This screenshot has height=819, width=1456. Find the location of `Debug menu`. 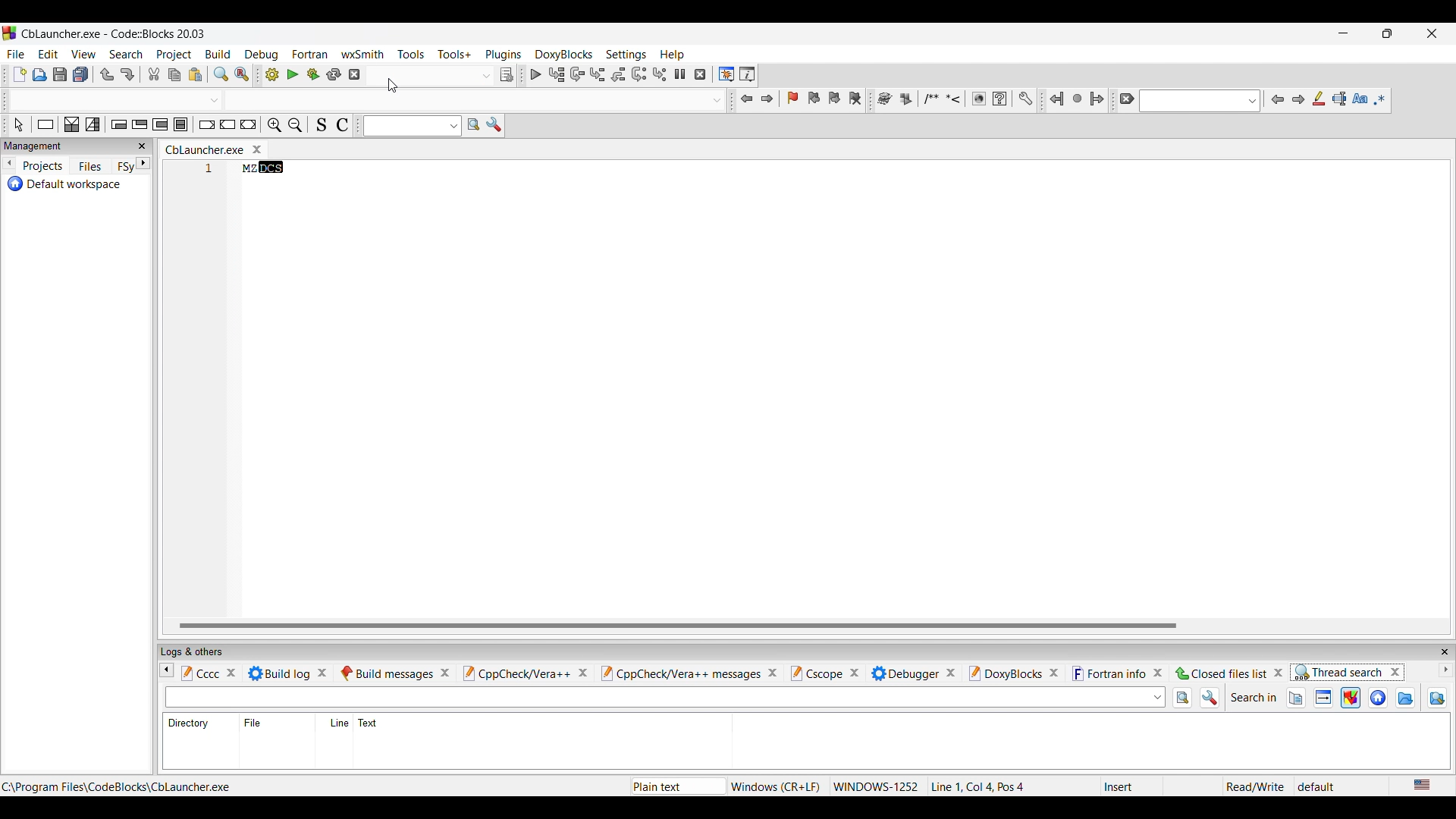

Debug menu is located at coordinates (262, 55).